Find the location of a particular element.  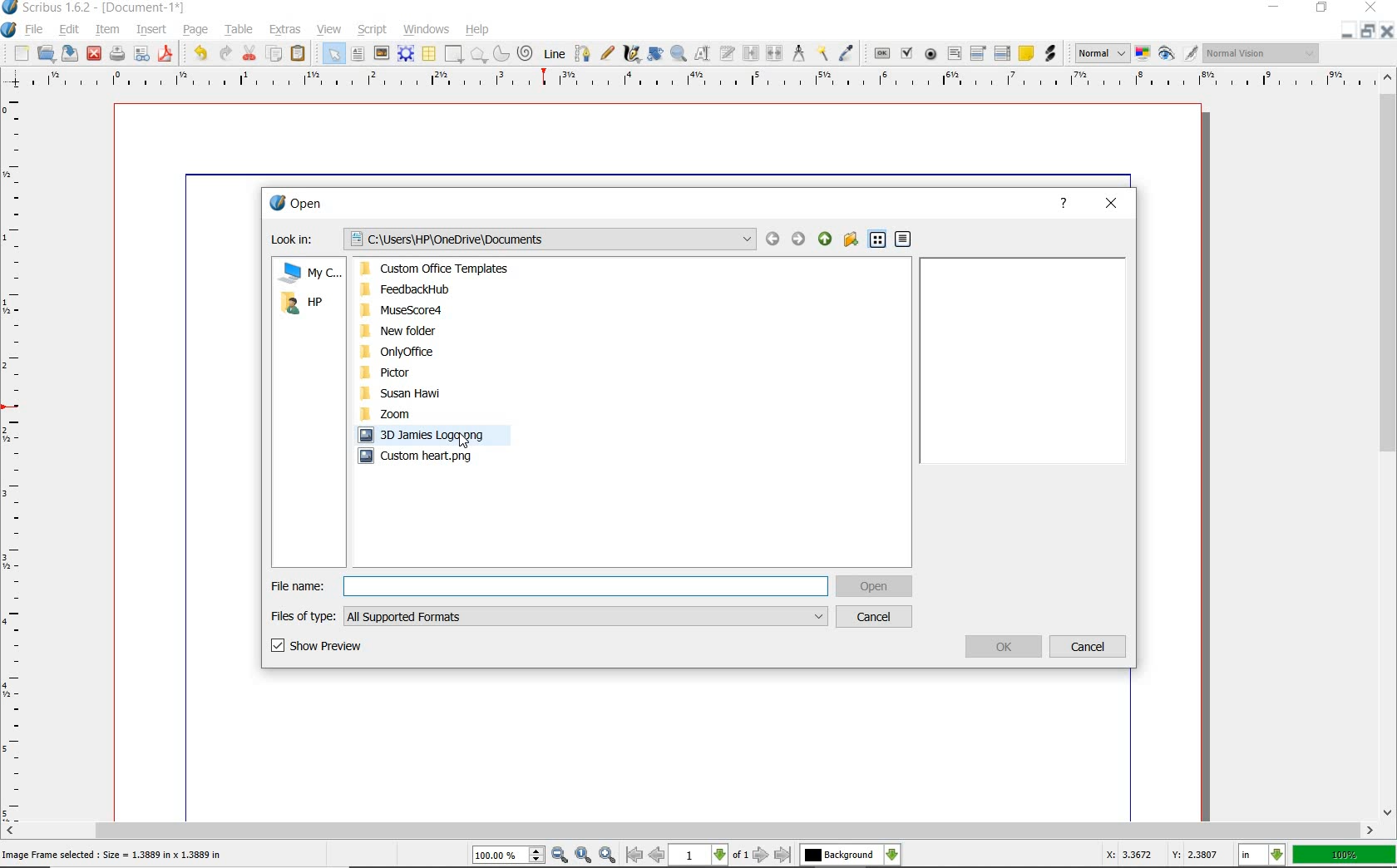

calligraphic line is located at coordinates (631, 55).